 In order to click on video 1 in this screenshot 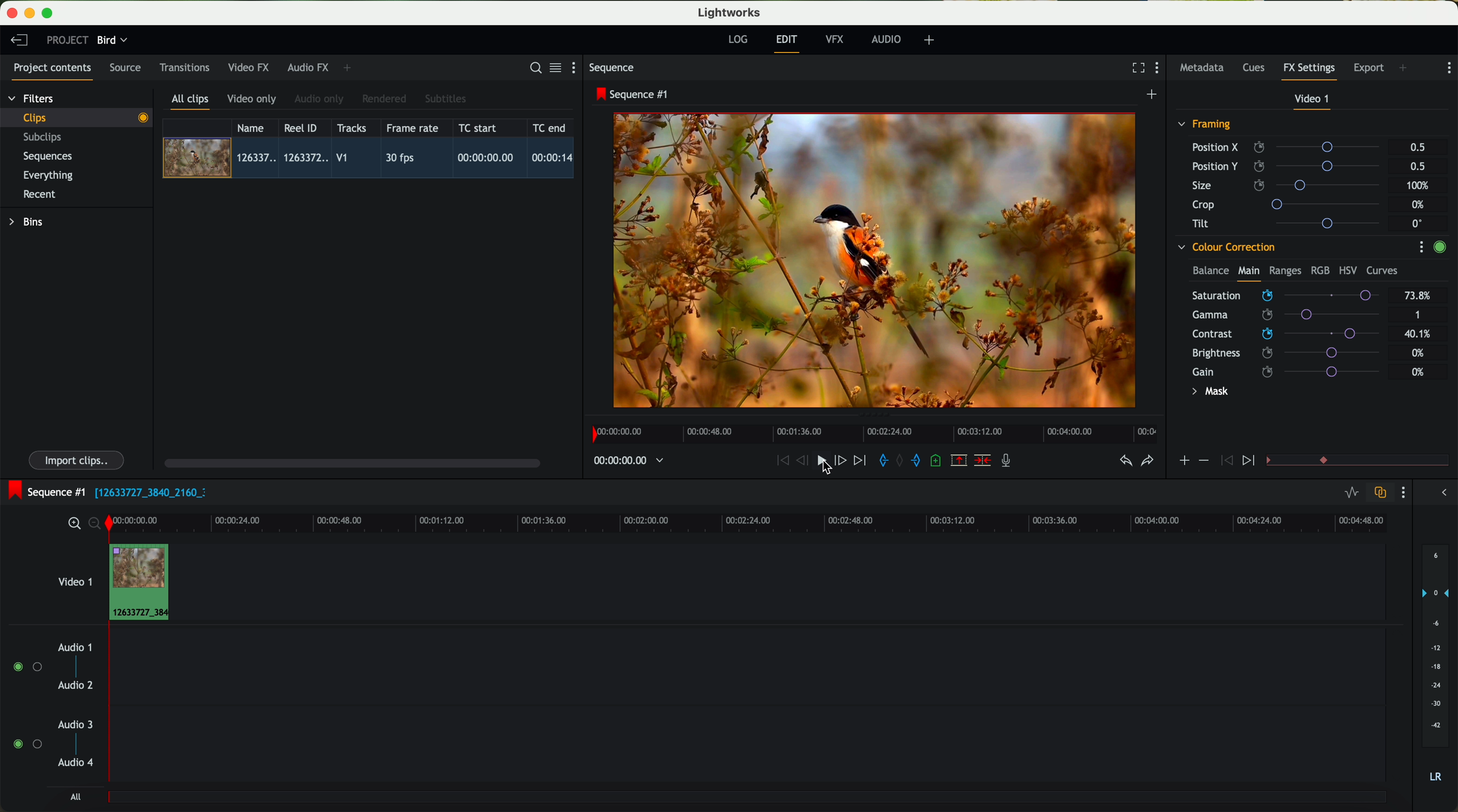, I will do `click(1313, 101)`.